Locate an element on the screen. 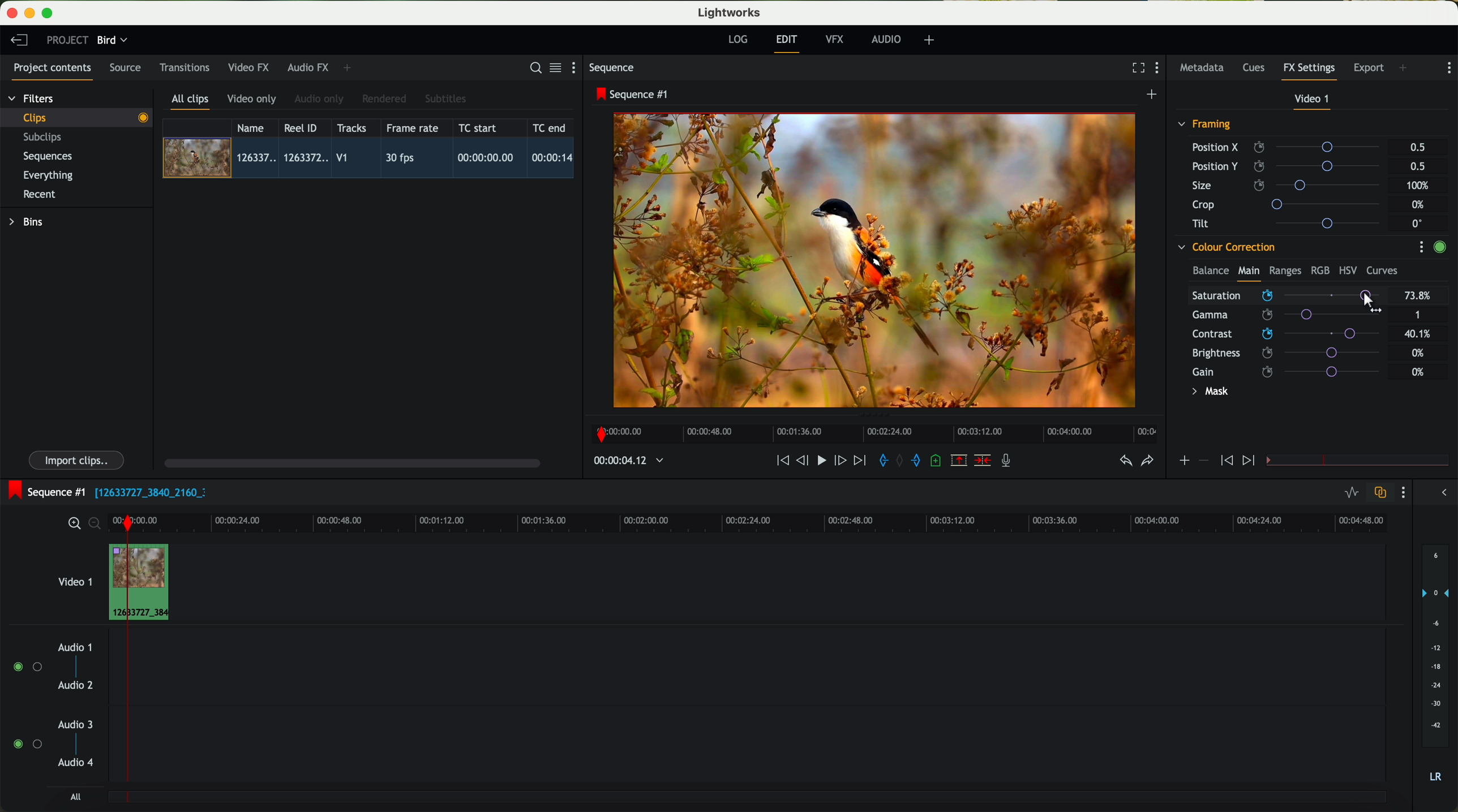  TC end is located at coordinates (550, 127).